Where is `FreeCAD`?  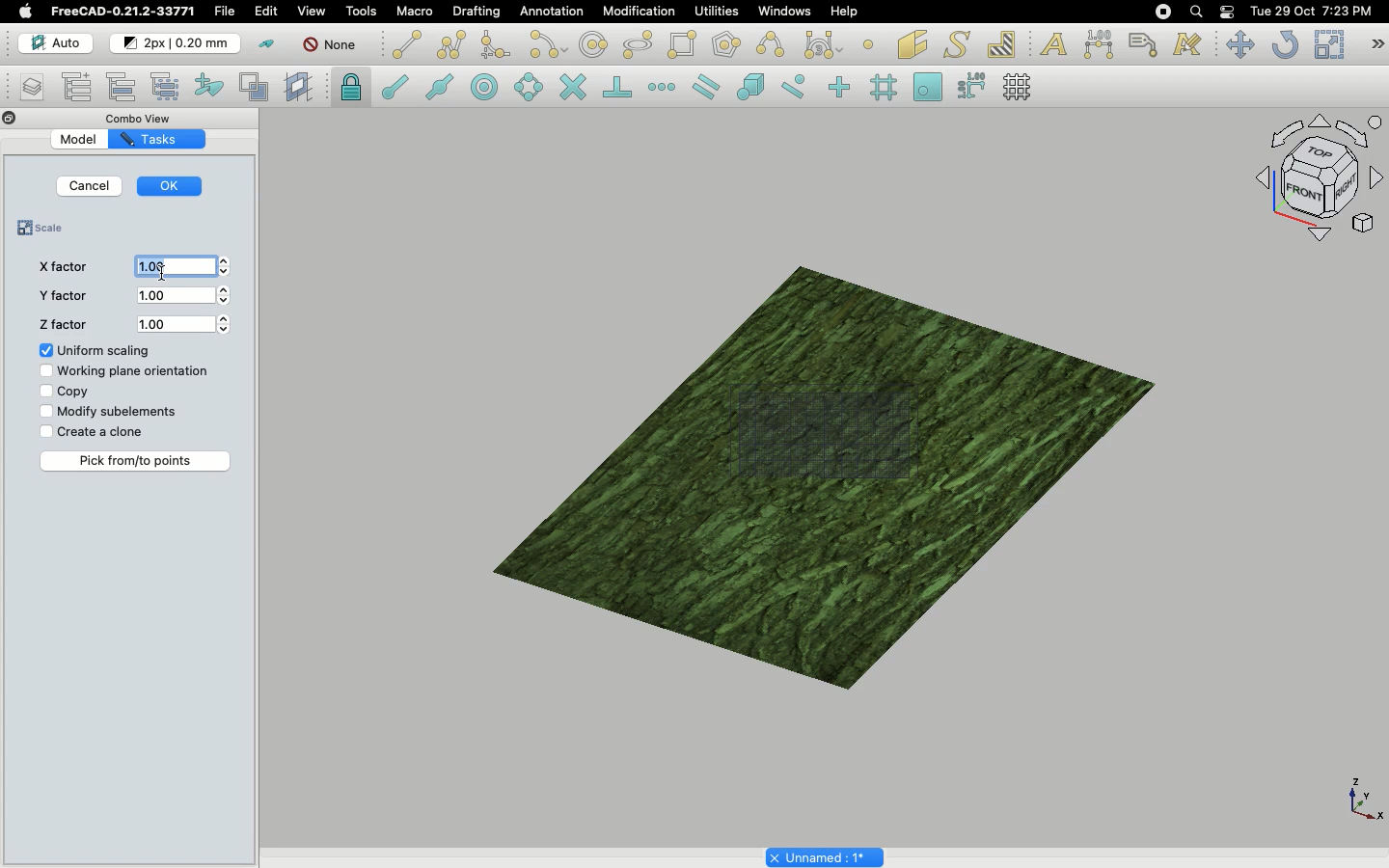 FreeCAD is located at coordinates (122, 12).